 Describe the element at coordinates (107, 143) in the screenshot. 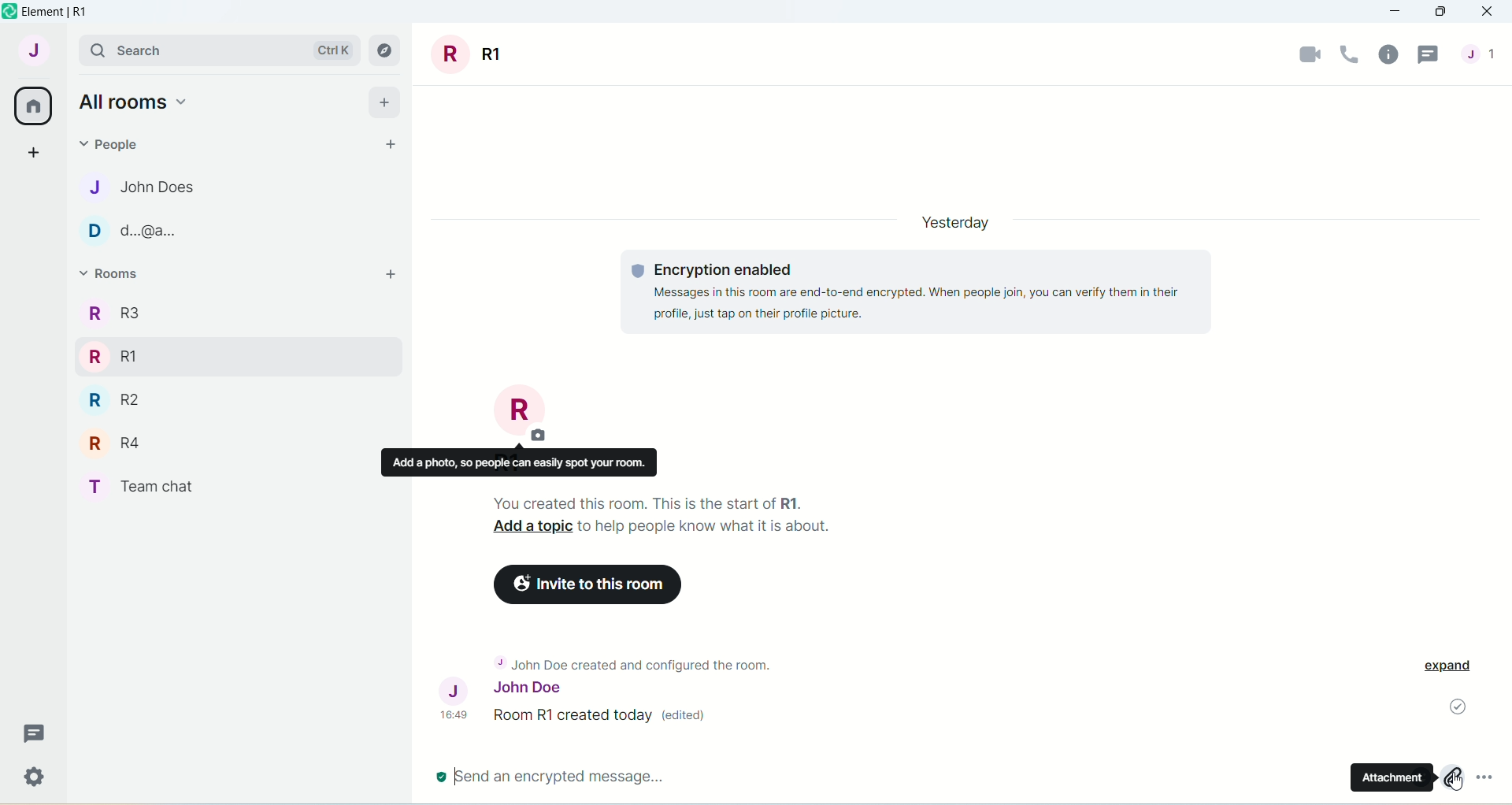

I see `people` at that location.